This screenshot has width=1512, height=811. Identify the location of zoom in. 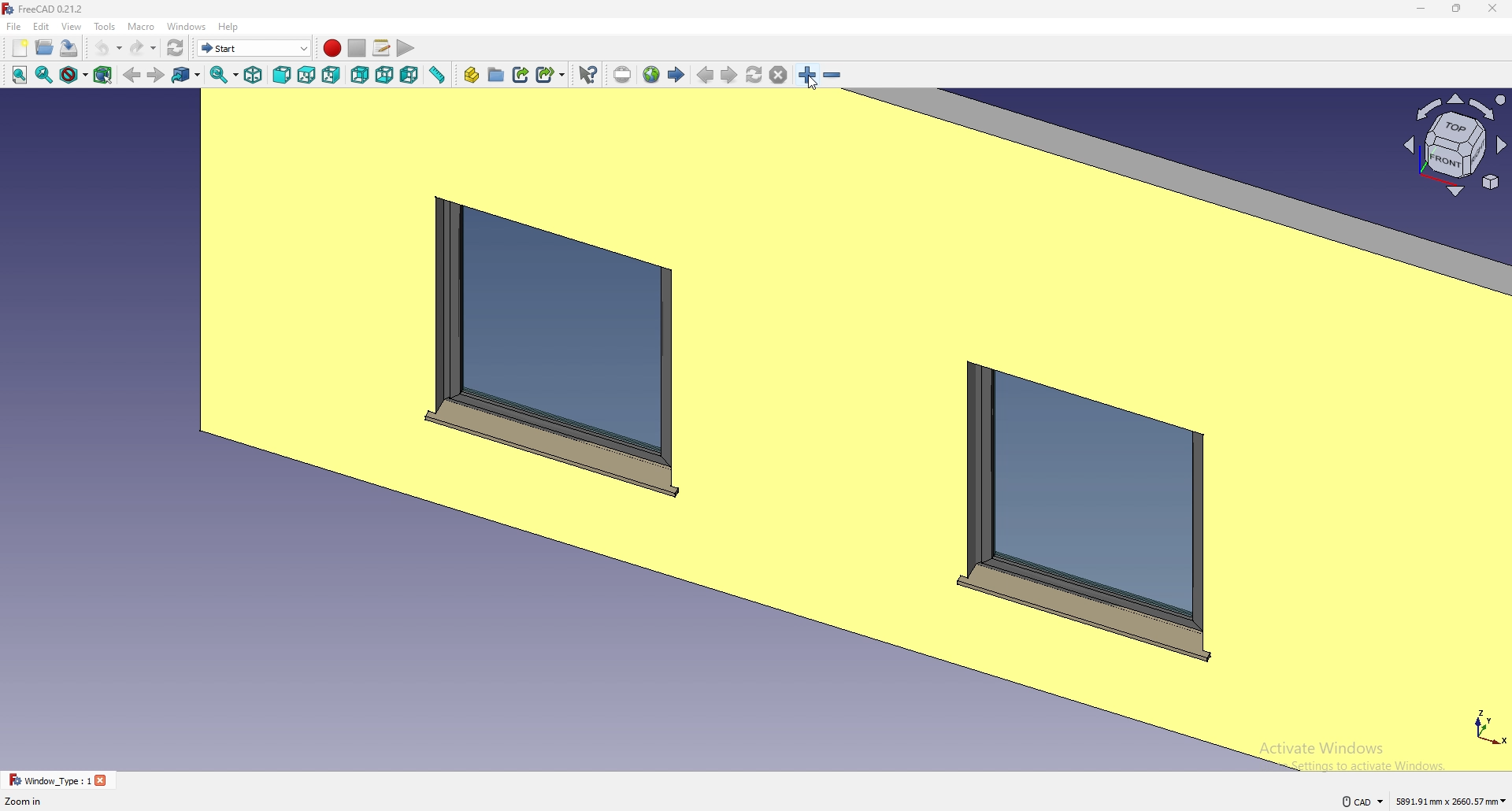
(809, 75).